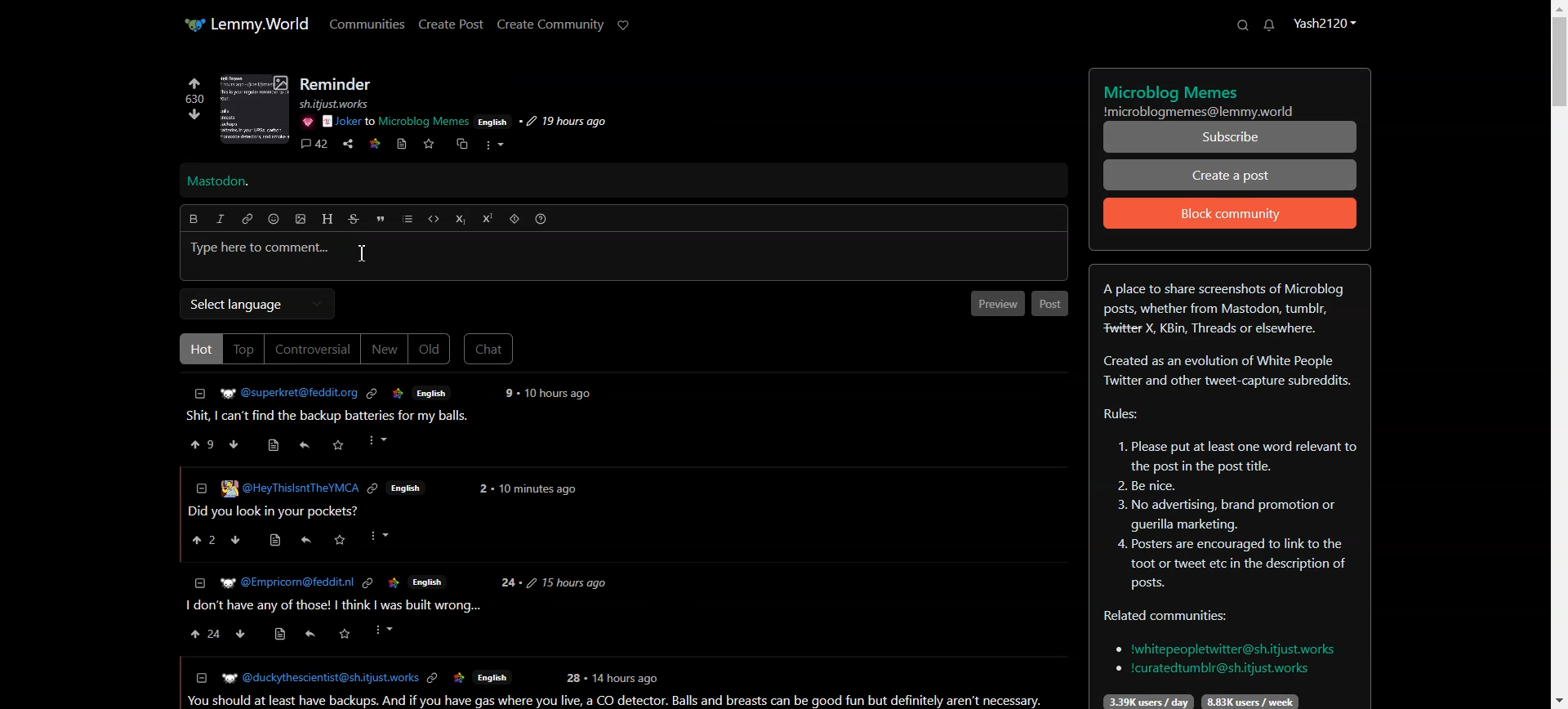  I want to click on [=], so click(200, 677).